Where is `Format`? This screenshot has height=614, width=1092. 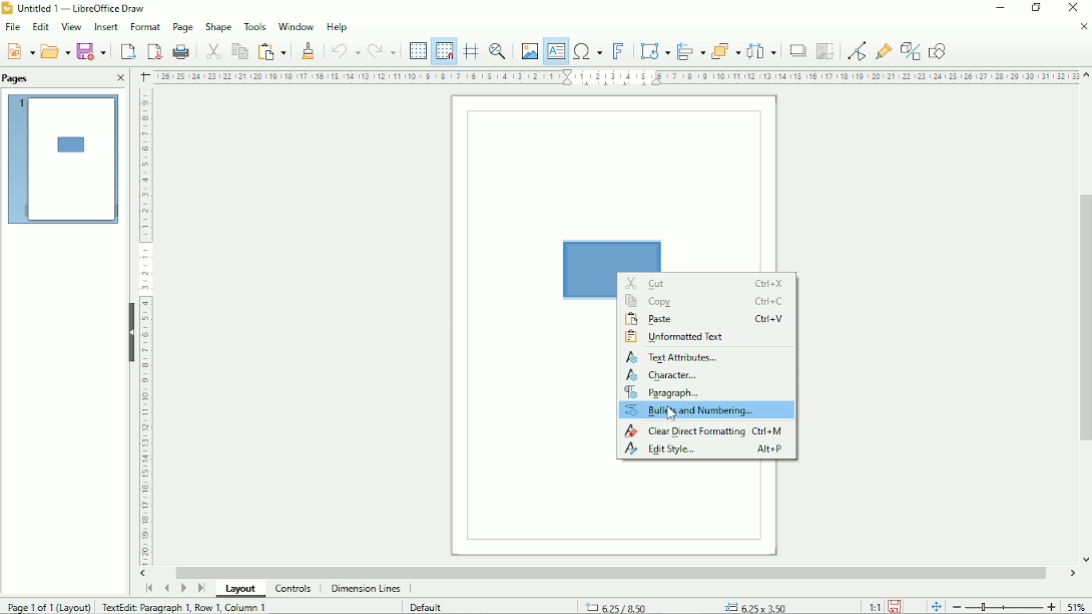 Format is located at coordinates (145, 26).